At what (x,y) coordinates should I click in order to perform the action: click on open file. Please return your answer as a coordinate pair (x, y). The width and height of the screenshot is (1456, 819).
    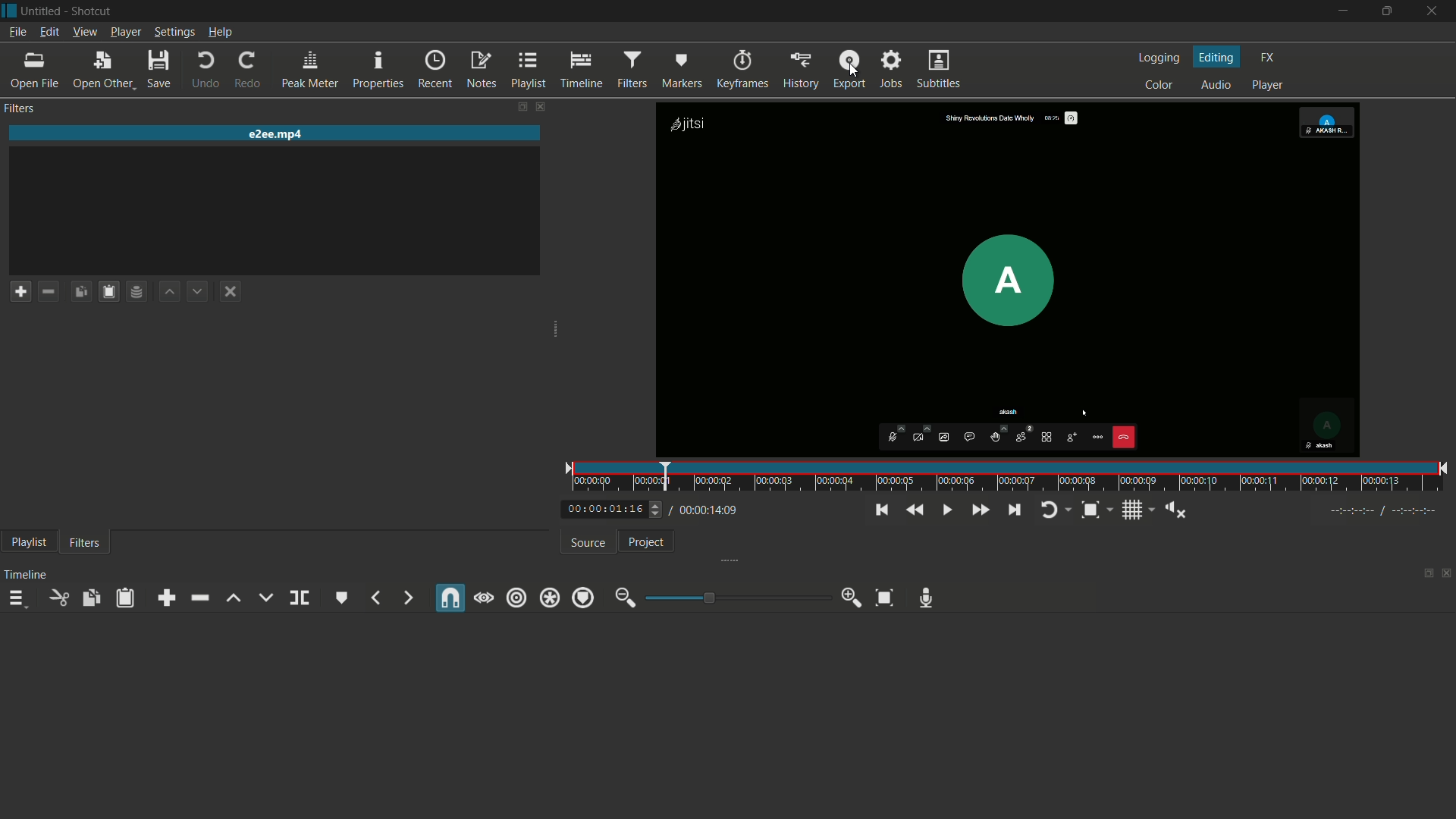
    Looking at the image, I should click on (33, 71).